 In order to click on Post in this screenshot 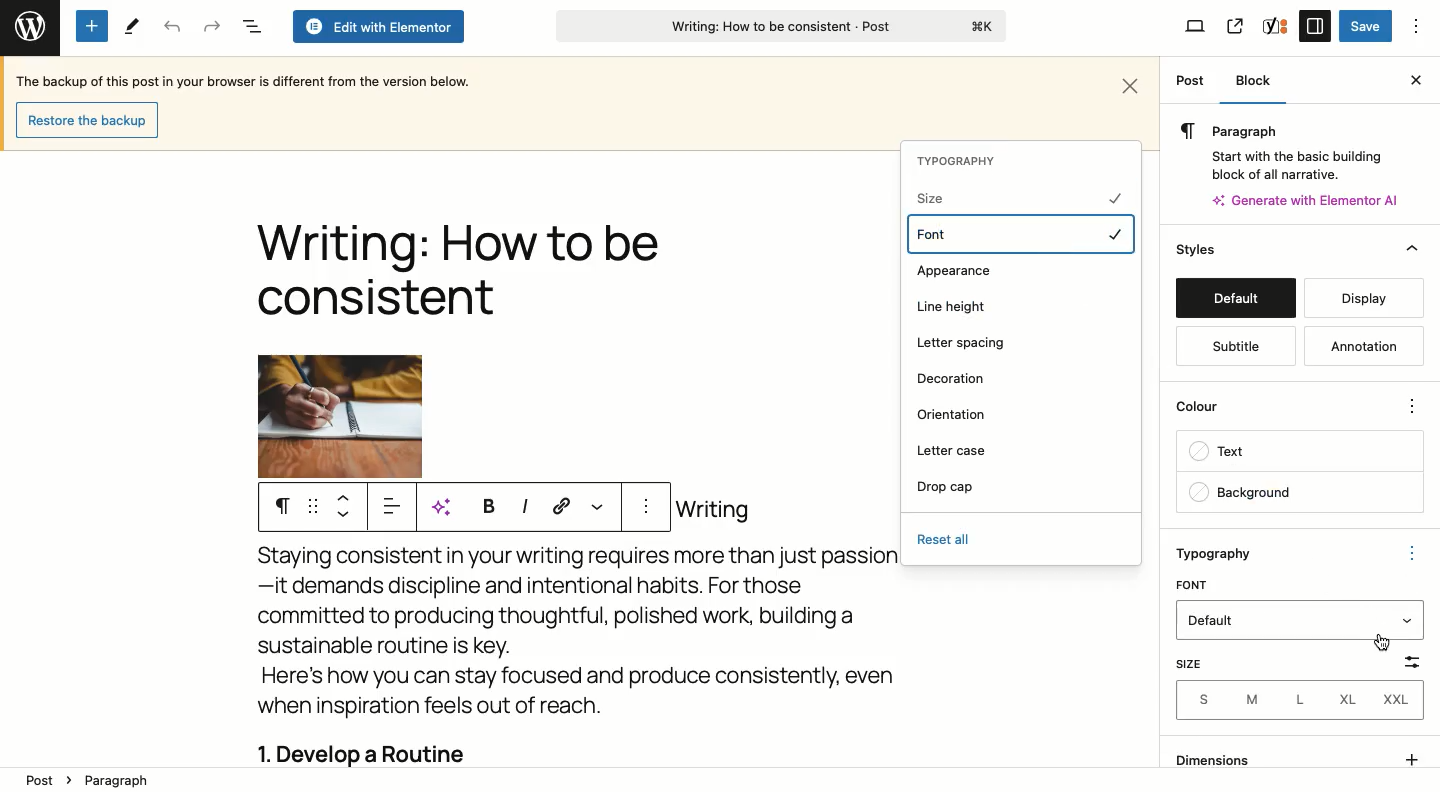, I will do `click(1190, 82)`.